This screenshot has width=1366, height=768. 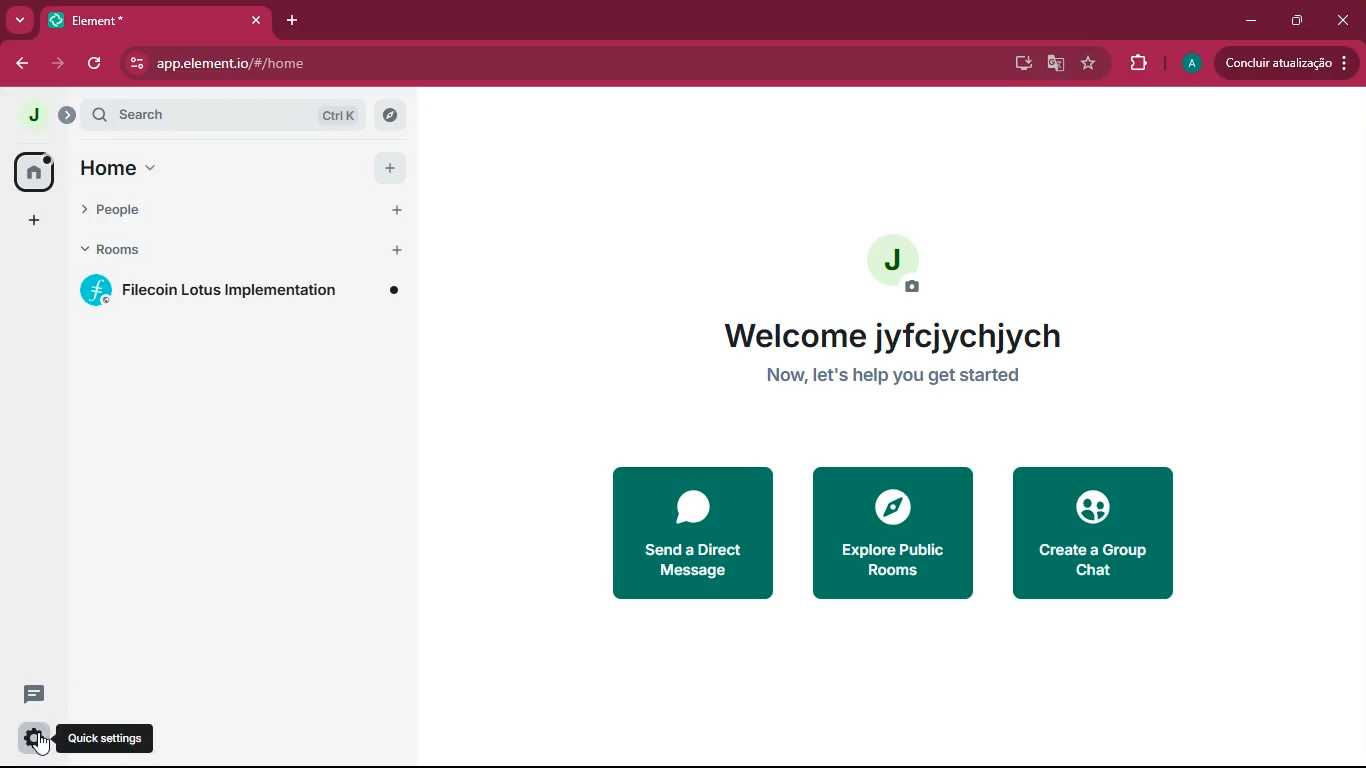 What do you see at coordinates (33, 115) in the screenshot?
I see `profile picture` at bounding box center [33, 115].